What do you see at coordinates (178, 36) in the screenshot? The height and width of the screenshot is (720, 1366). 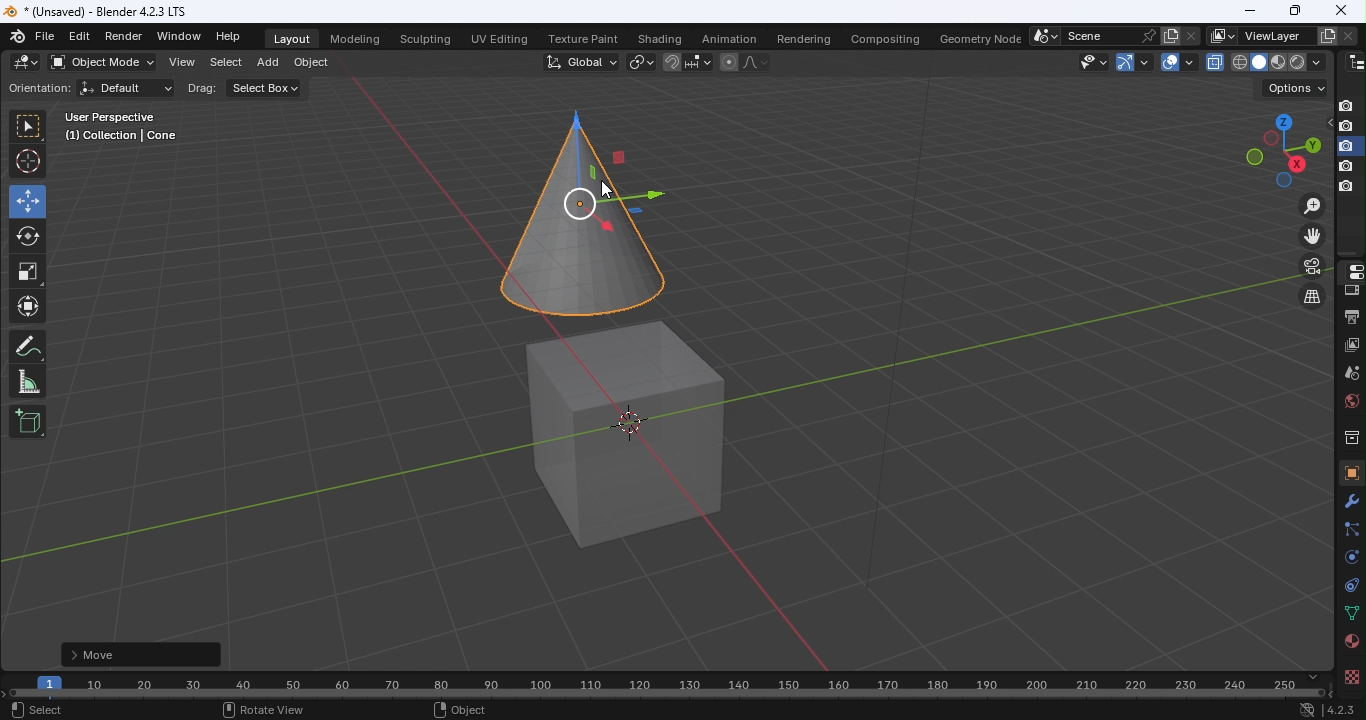 I see `Window` at bounding box center [178, 36].